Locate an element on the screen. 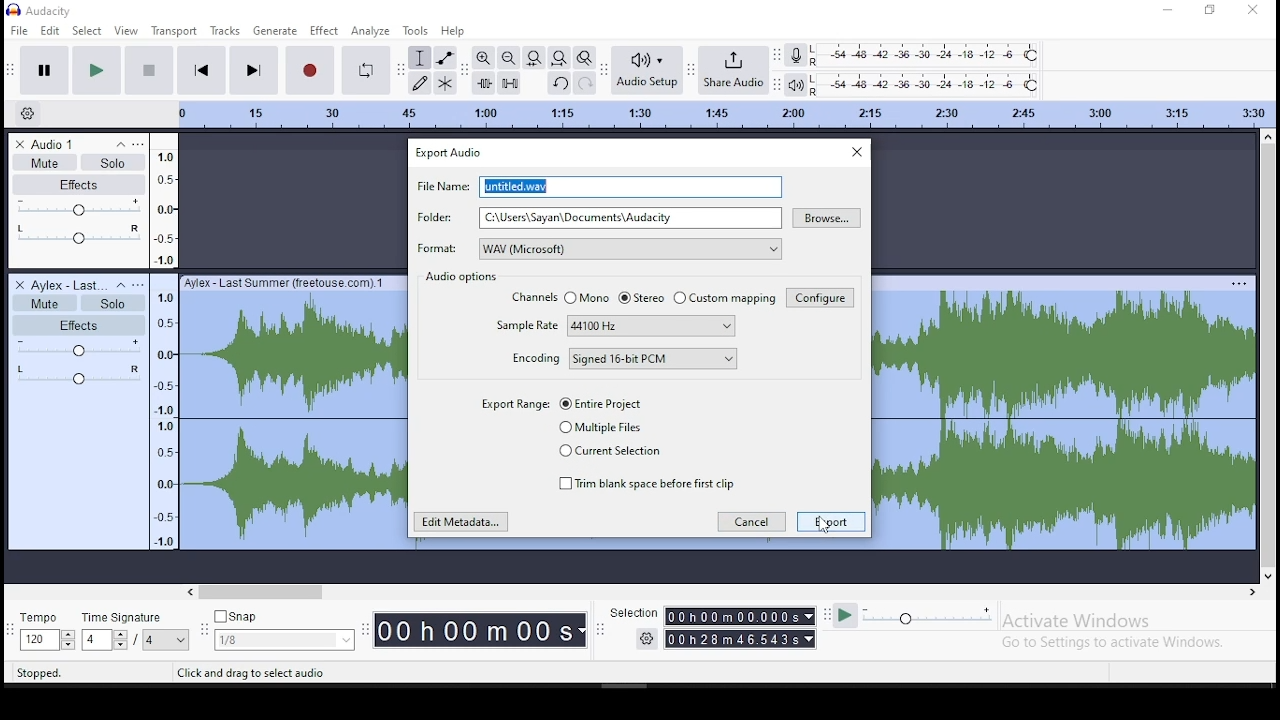 The image size is (1280, 720). delete track is located at coordinates (19, 143).